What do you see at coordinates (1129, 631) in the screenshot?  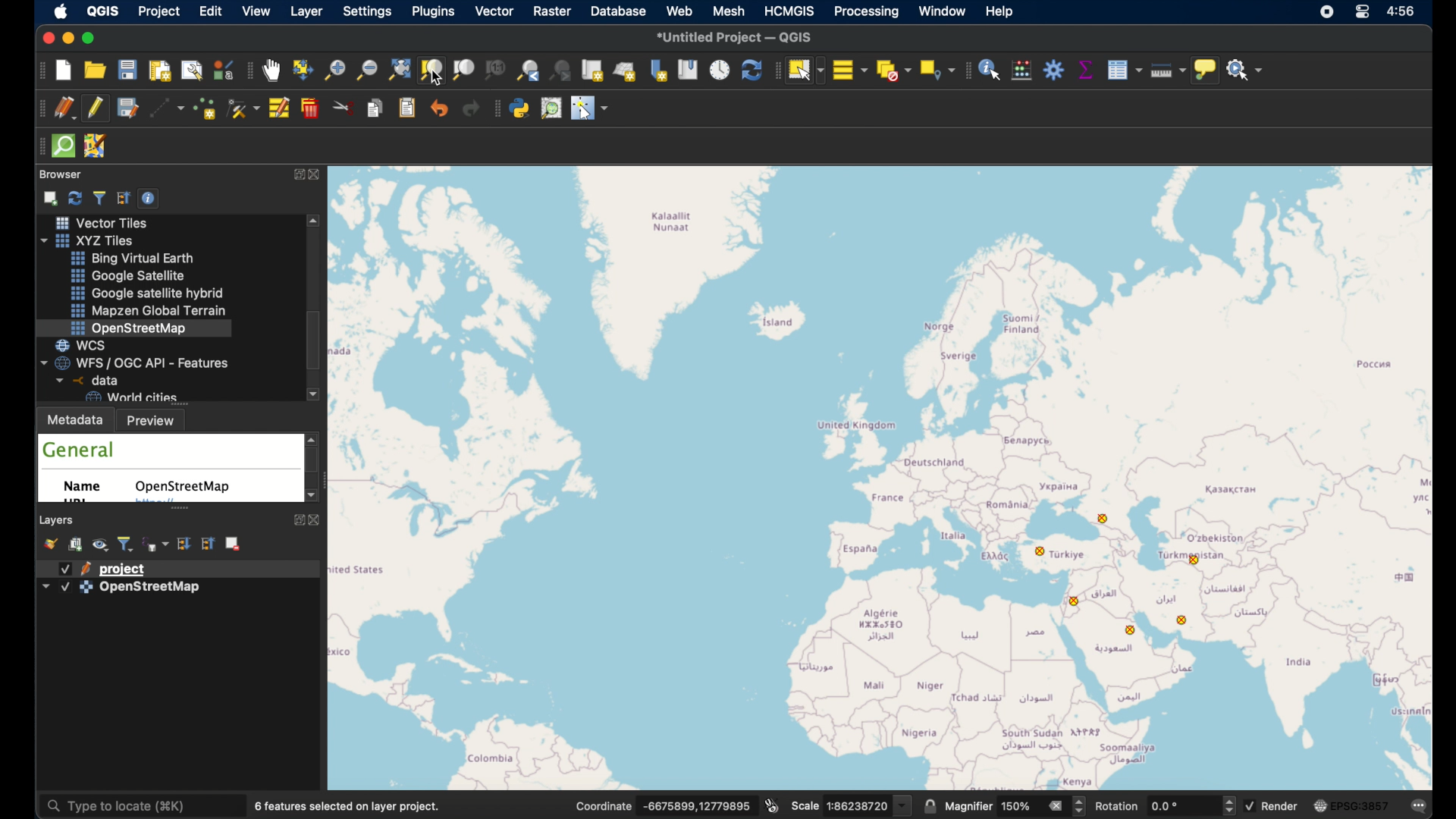 I see `point feature` at bounding box center [1129, 631].